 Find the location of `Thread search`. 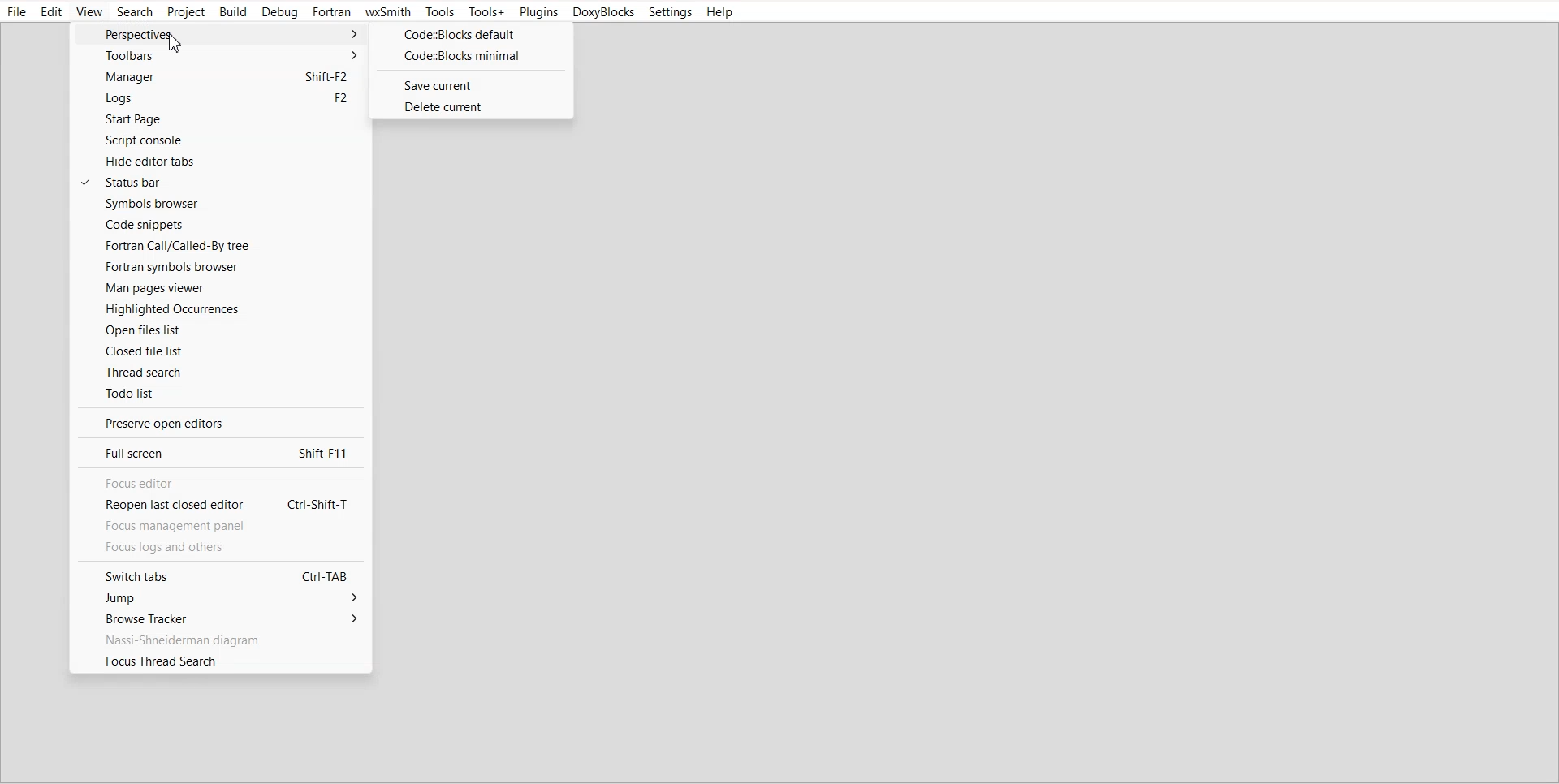

Thread search is located at coordinates (221, 371).